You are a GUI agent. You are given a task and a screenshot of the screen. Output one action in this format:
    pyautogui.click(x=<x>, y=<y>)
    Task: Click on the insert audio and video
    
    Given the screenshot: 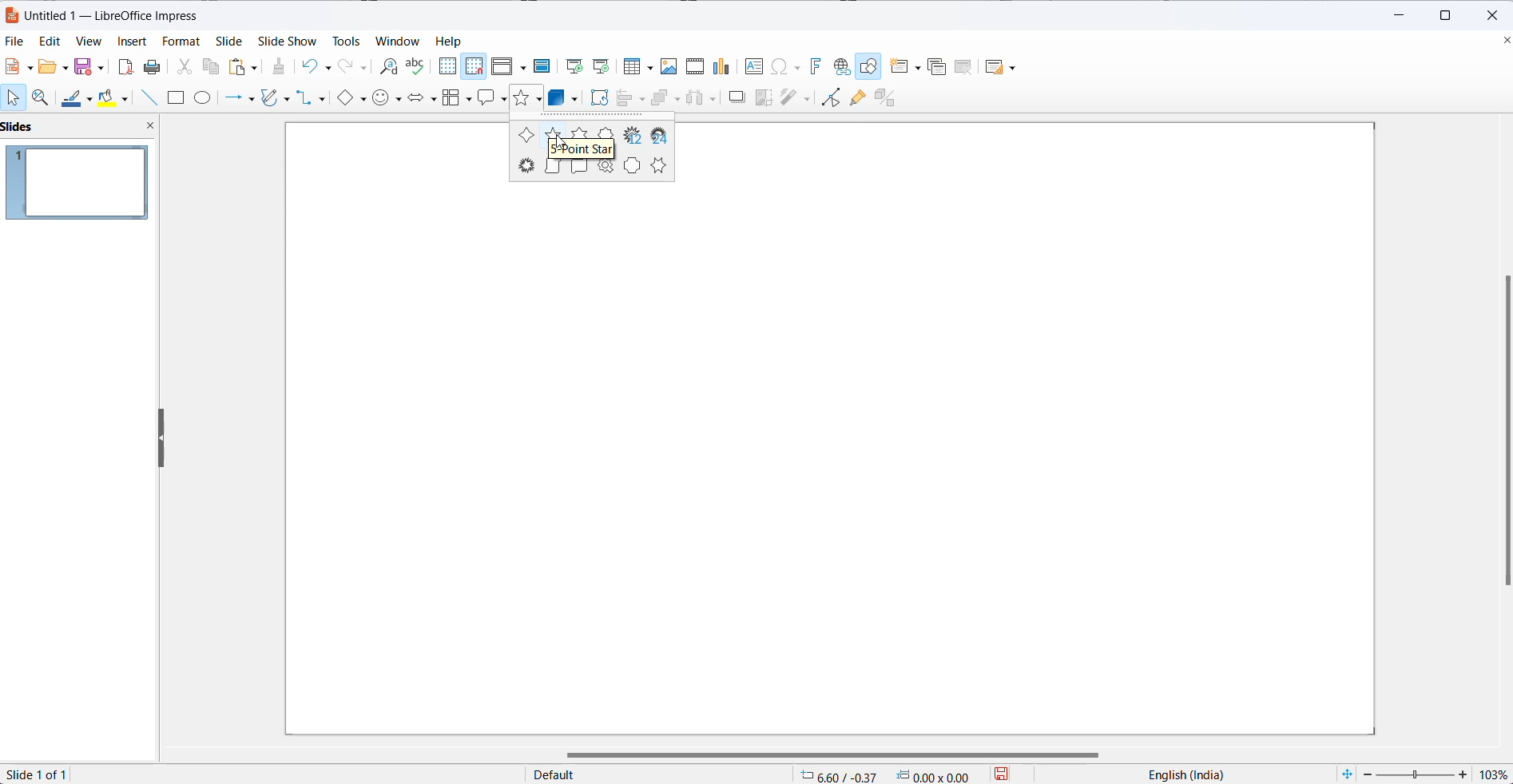 What is the action you would take?
    pyautogui.click(x=693, y=66)
    